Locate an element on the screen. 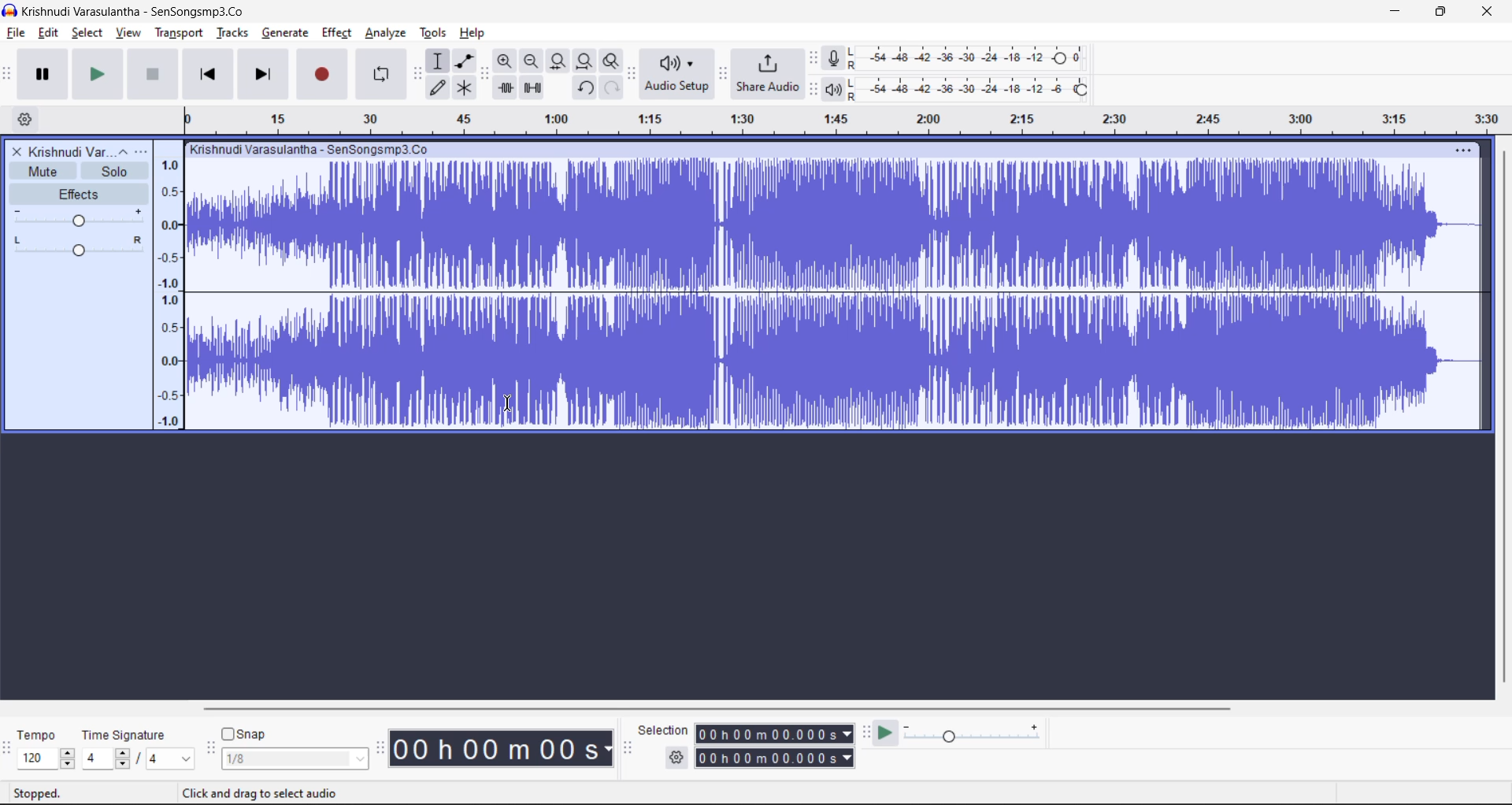  play at speed is located at coordinates (885, 733).